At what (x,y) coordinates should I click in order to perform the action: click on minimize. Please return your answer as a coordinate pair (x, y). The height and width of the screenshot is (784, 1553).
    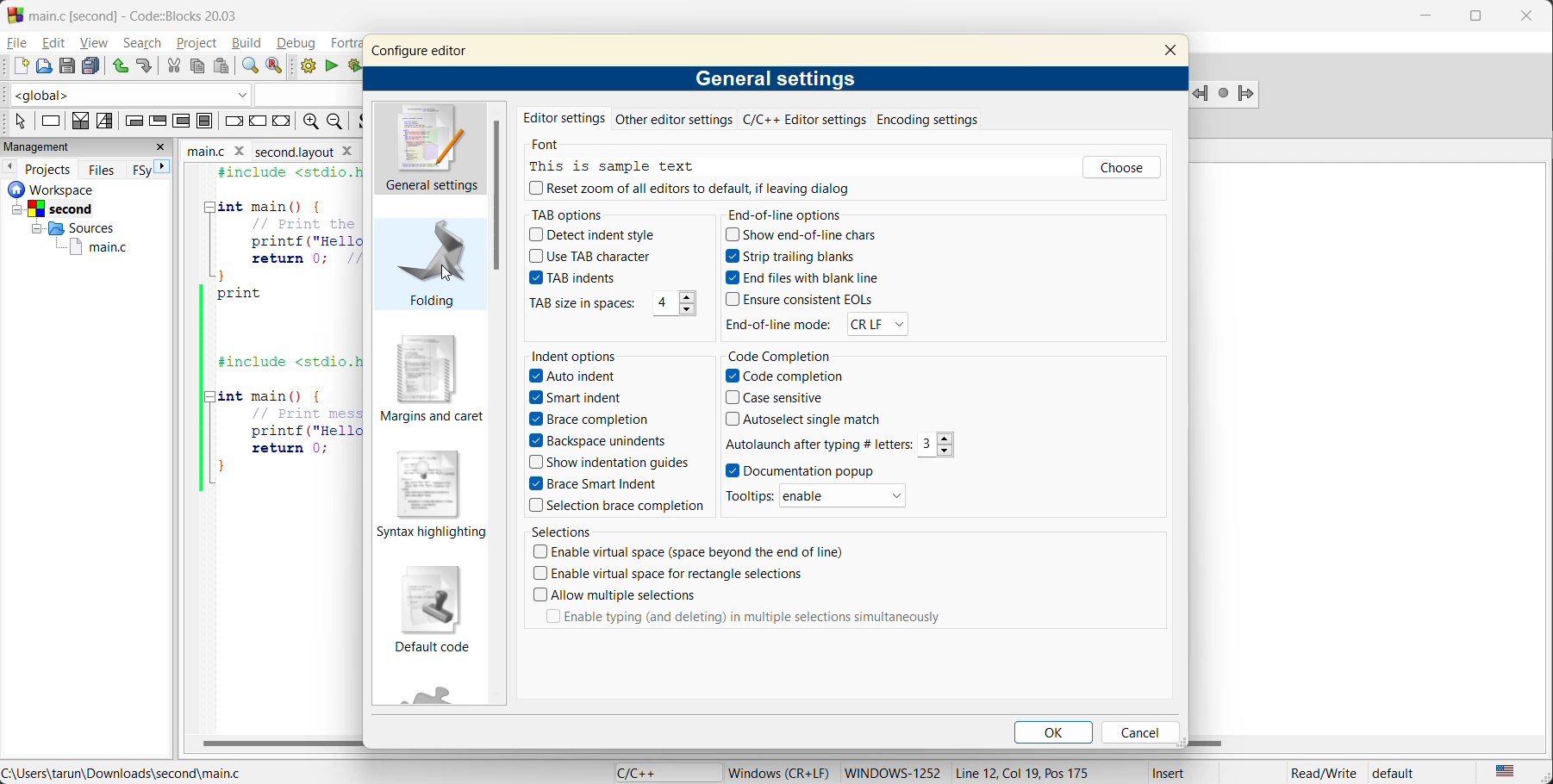
    Looking at the image, I should click on (1424, 17).